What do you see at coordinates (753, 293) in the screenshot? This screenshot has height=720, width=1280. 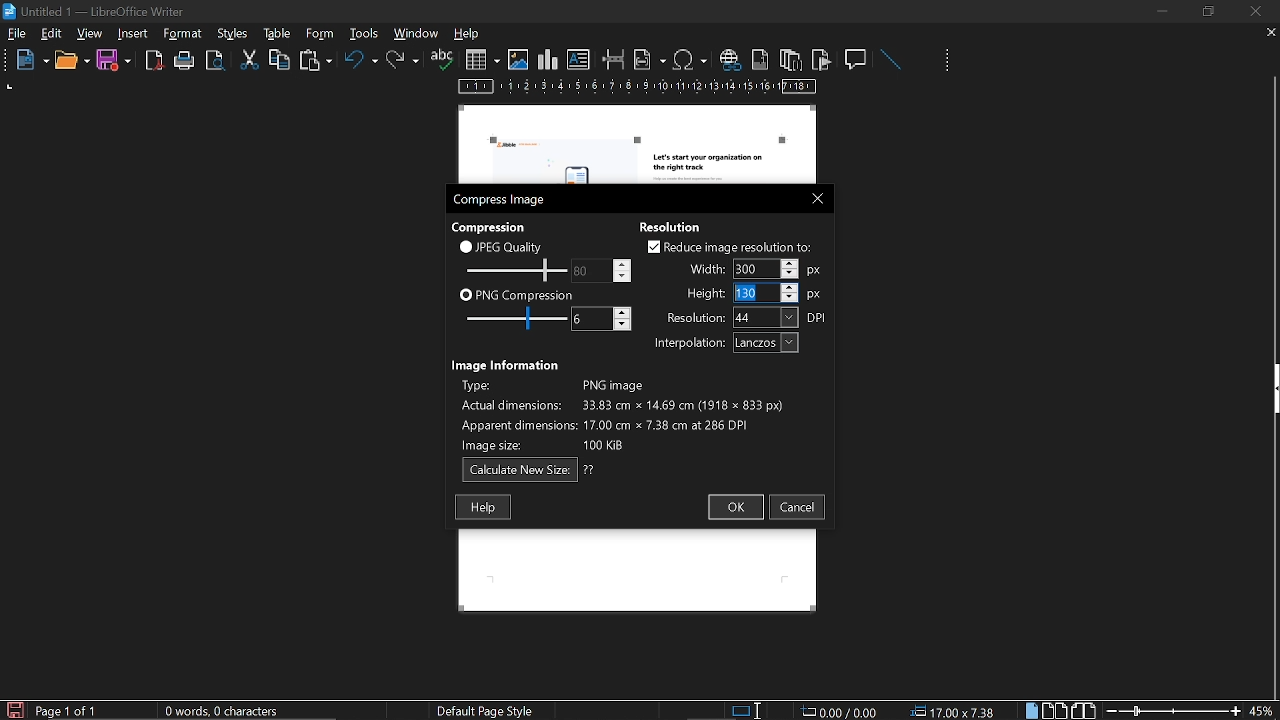 I see `Selected height` at bounding box center [753, 293].